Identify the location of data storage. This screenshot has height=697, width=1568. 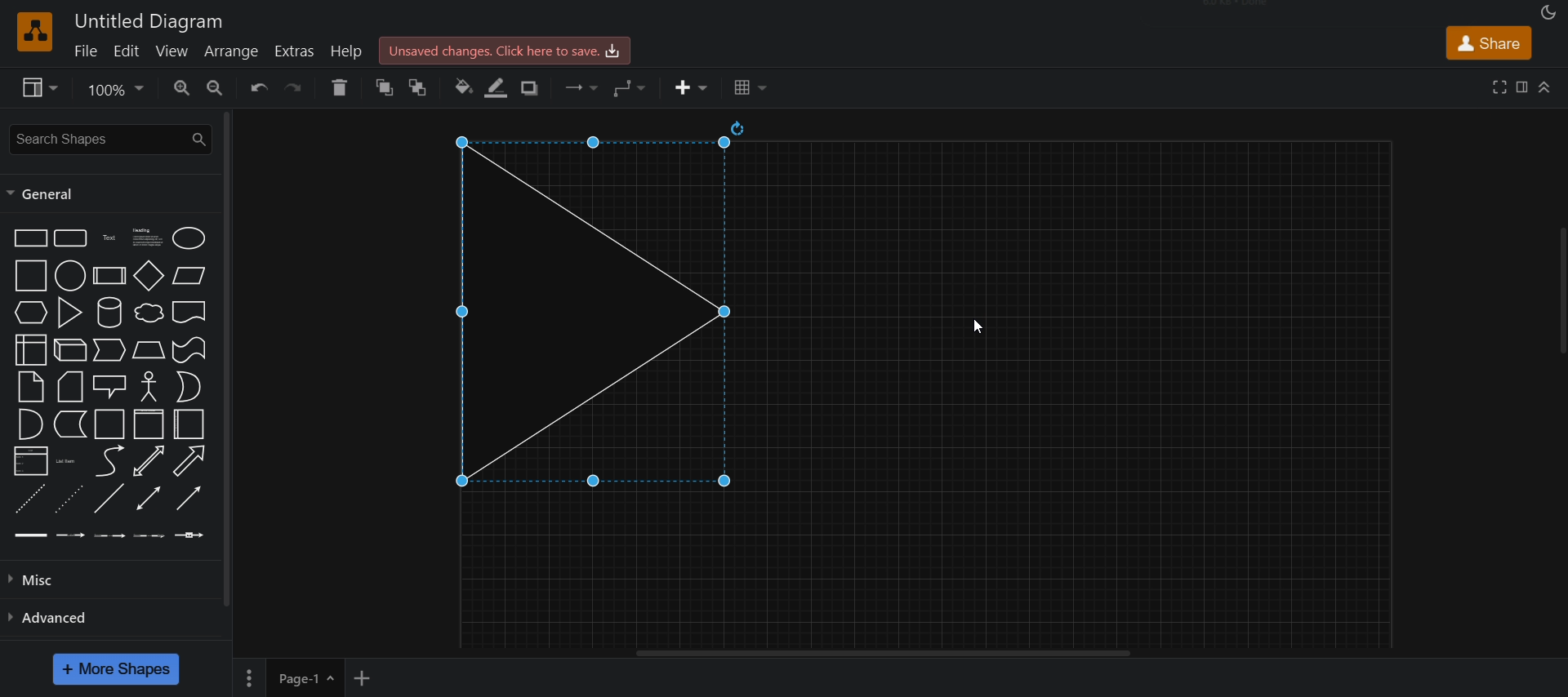
(67, 424).